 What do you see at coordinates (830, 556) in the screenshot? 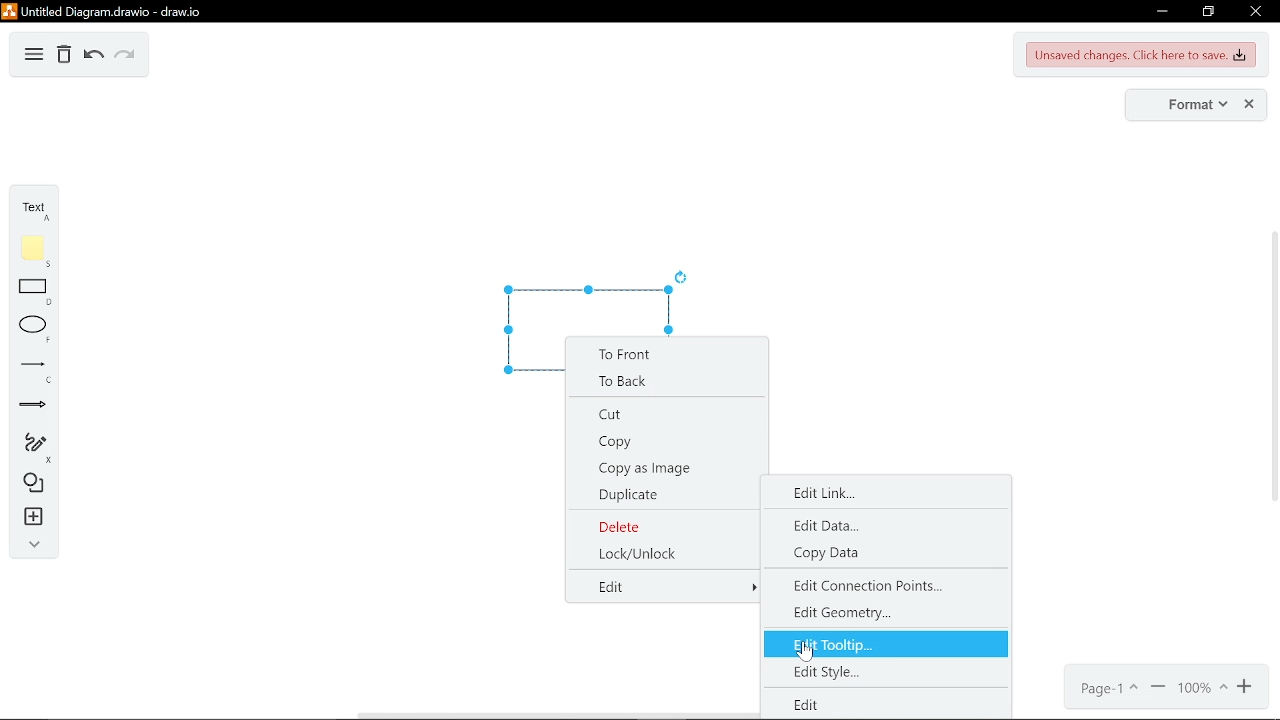
I see `copy data` at bounding box center [830, 556].